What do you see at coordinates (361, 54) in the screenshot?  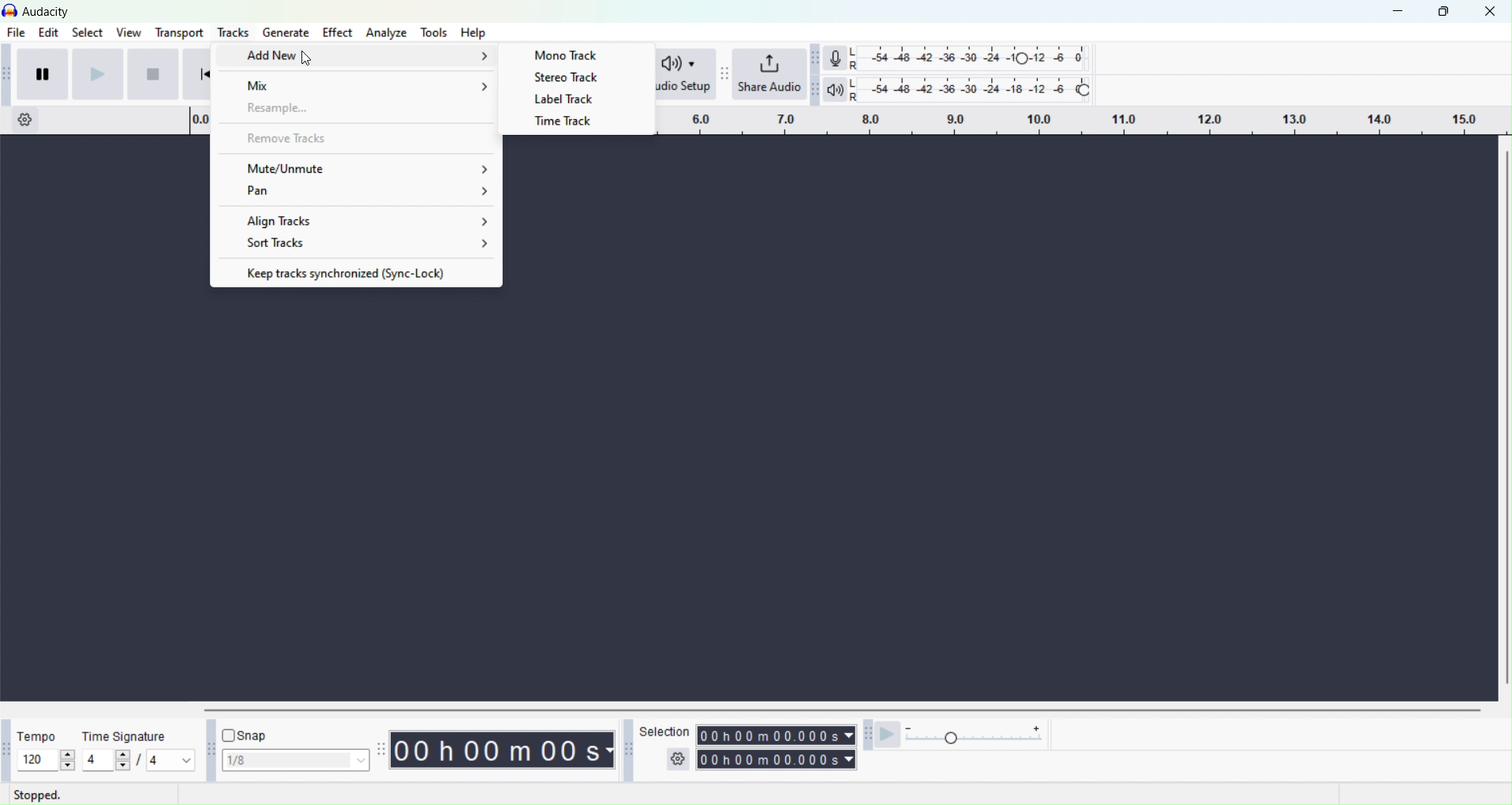 I see `Add new` at bounding box center [361, 54].